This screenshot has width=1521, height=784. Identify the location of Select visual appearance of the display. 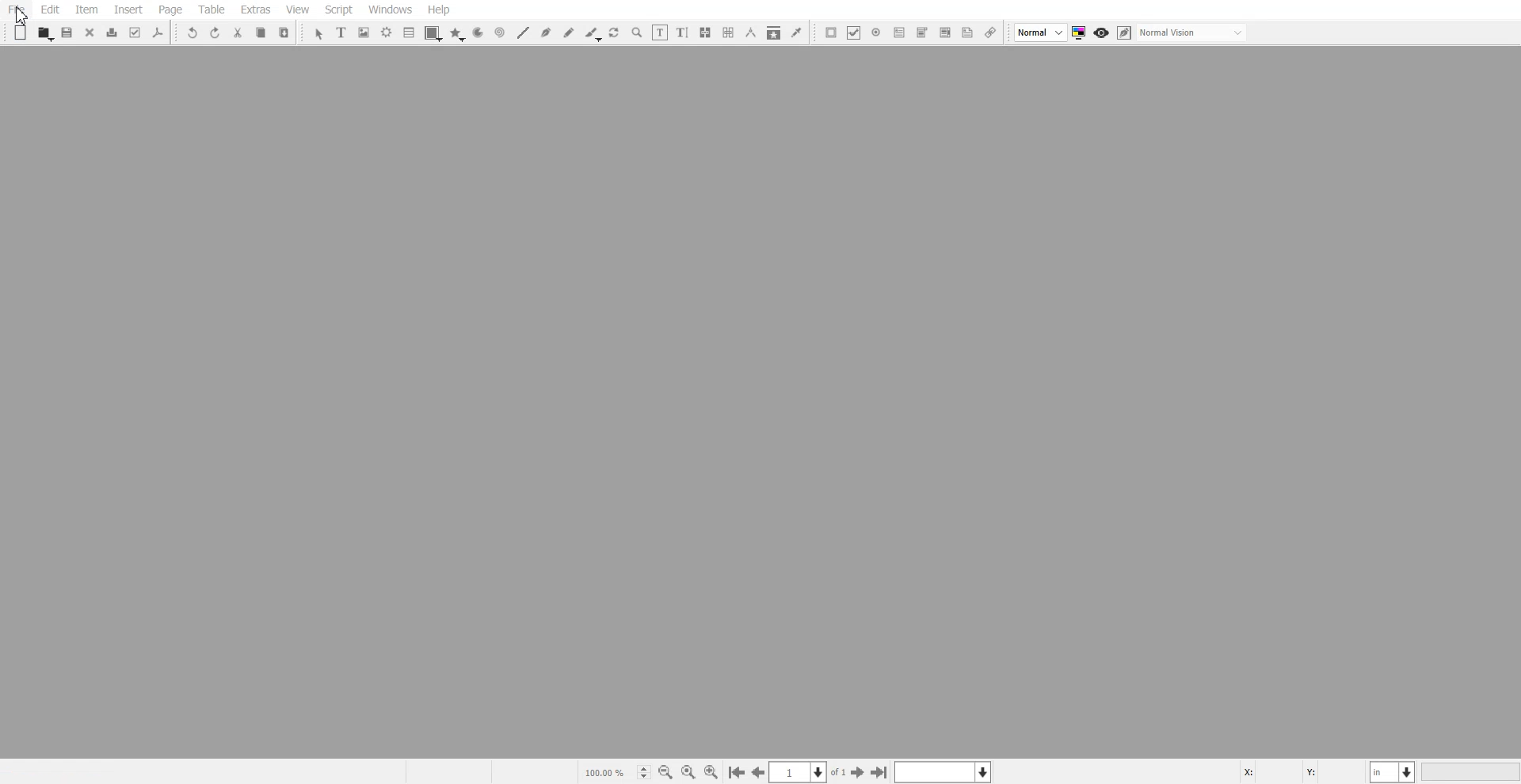
(1193, 33).